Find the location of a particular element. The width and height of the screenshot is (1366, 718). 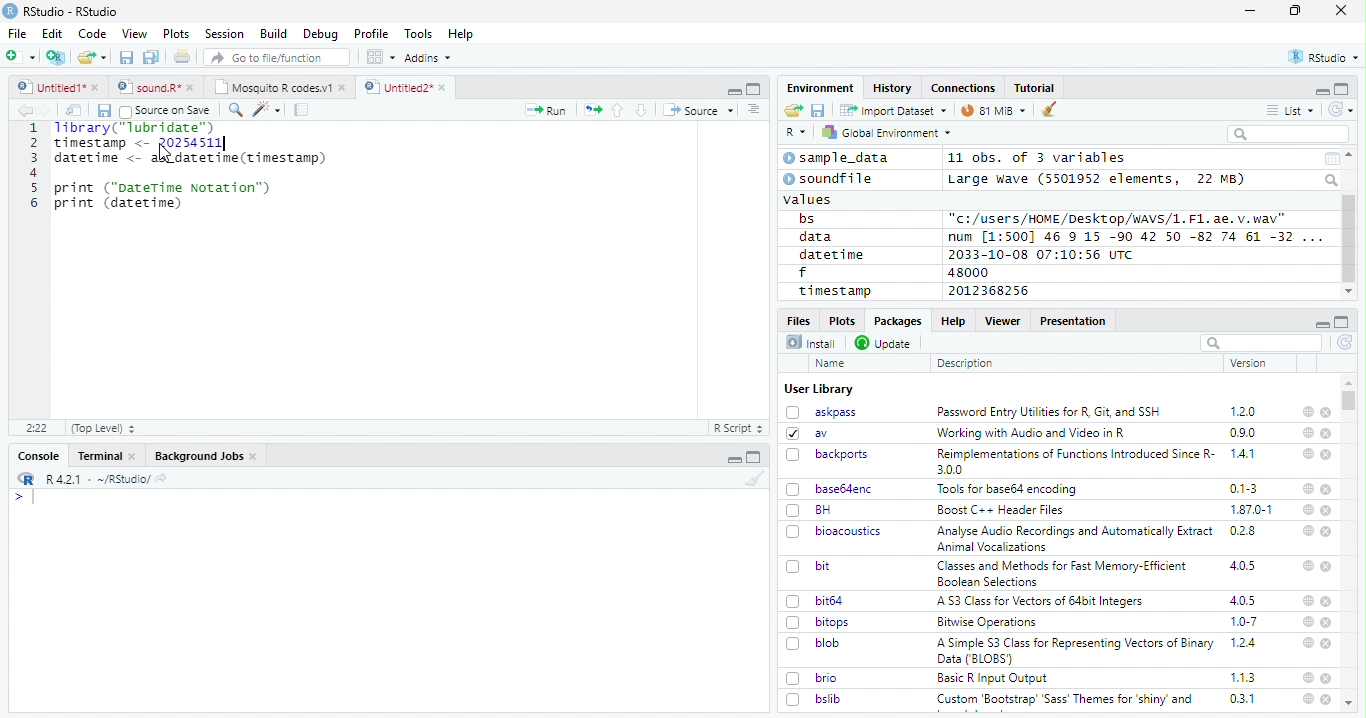

bs is located at coordinates (807, 219).